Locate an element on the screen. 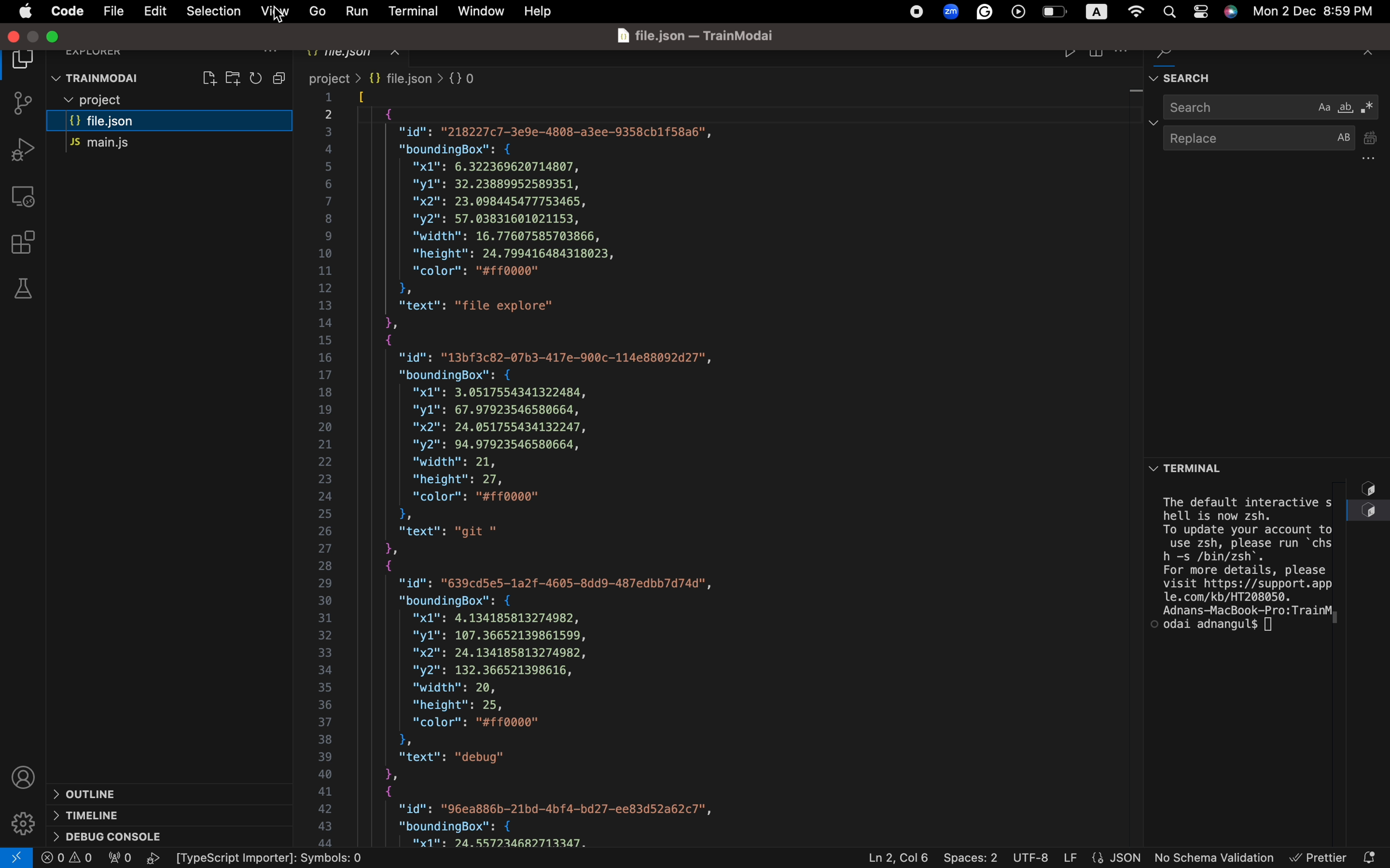 The width and height of the screenshot is (1390, 868). trainmodal is located at coordinates (98, 78).